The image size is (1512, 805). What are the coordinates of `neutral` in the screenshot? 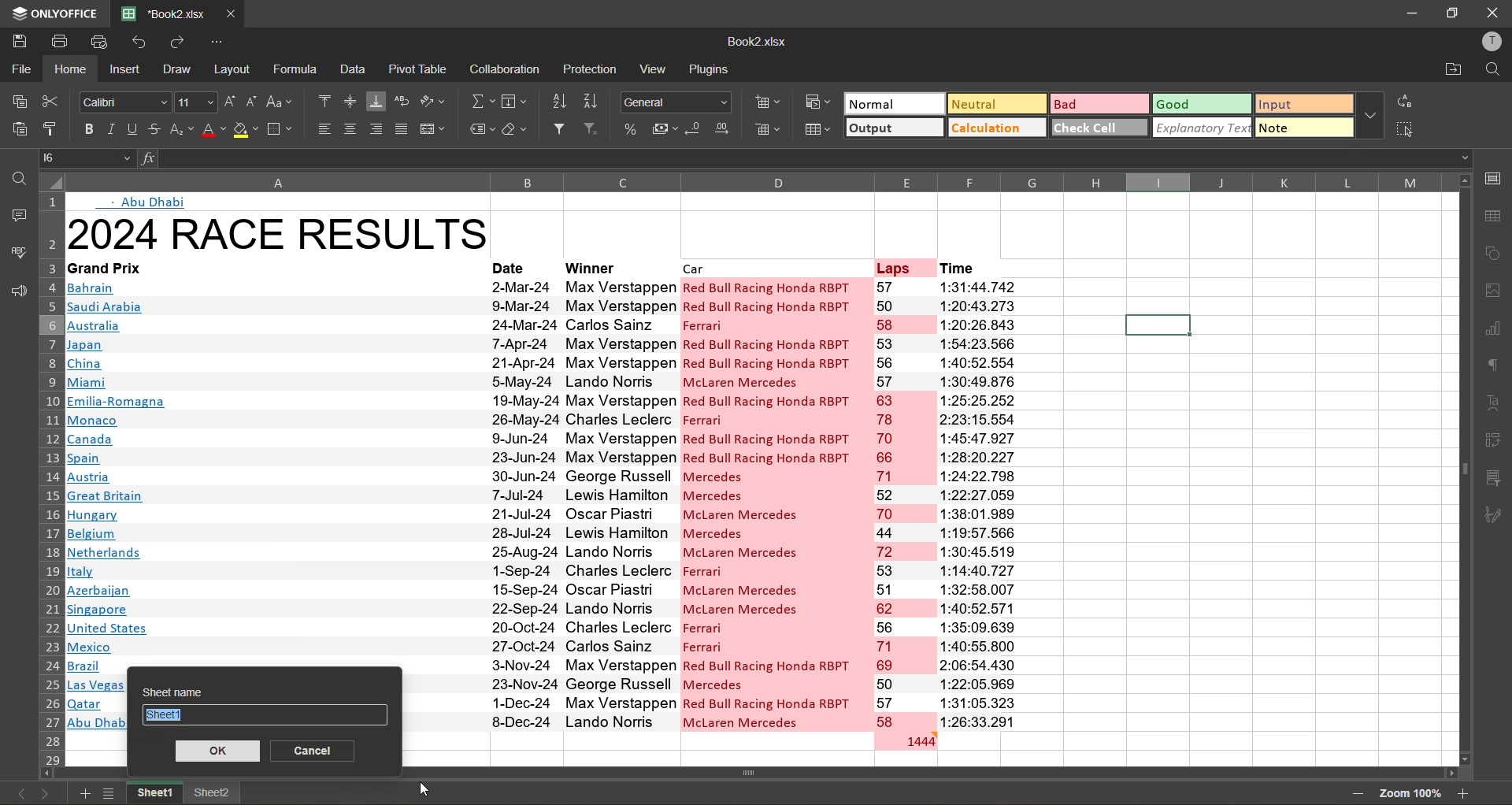 It's located at (995, 106).